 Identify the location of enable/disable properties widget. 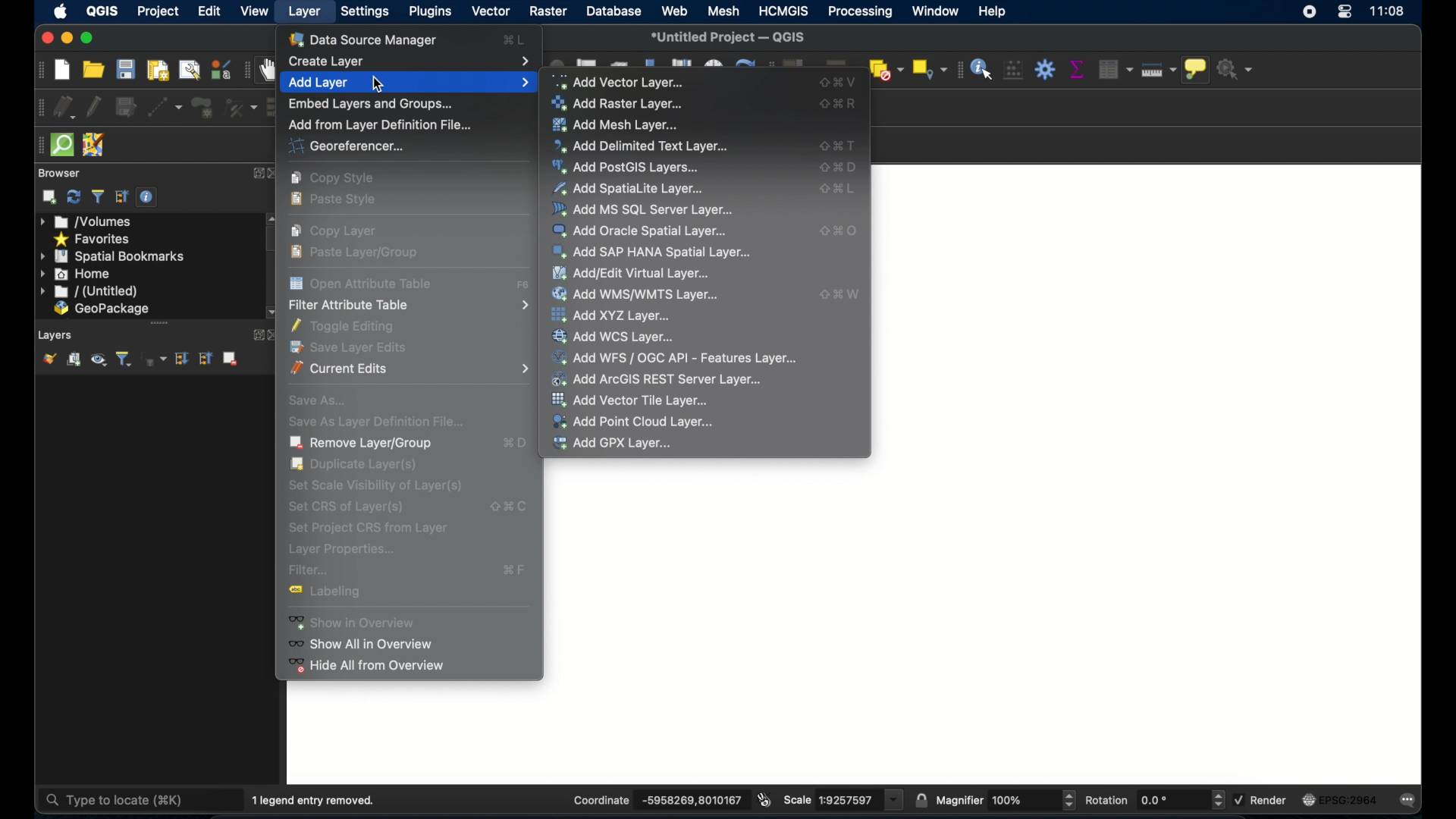
(149, 197).